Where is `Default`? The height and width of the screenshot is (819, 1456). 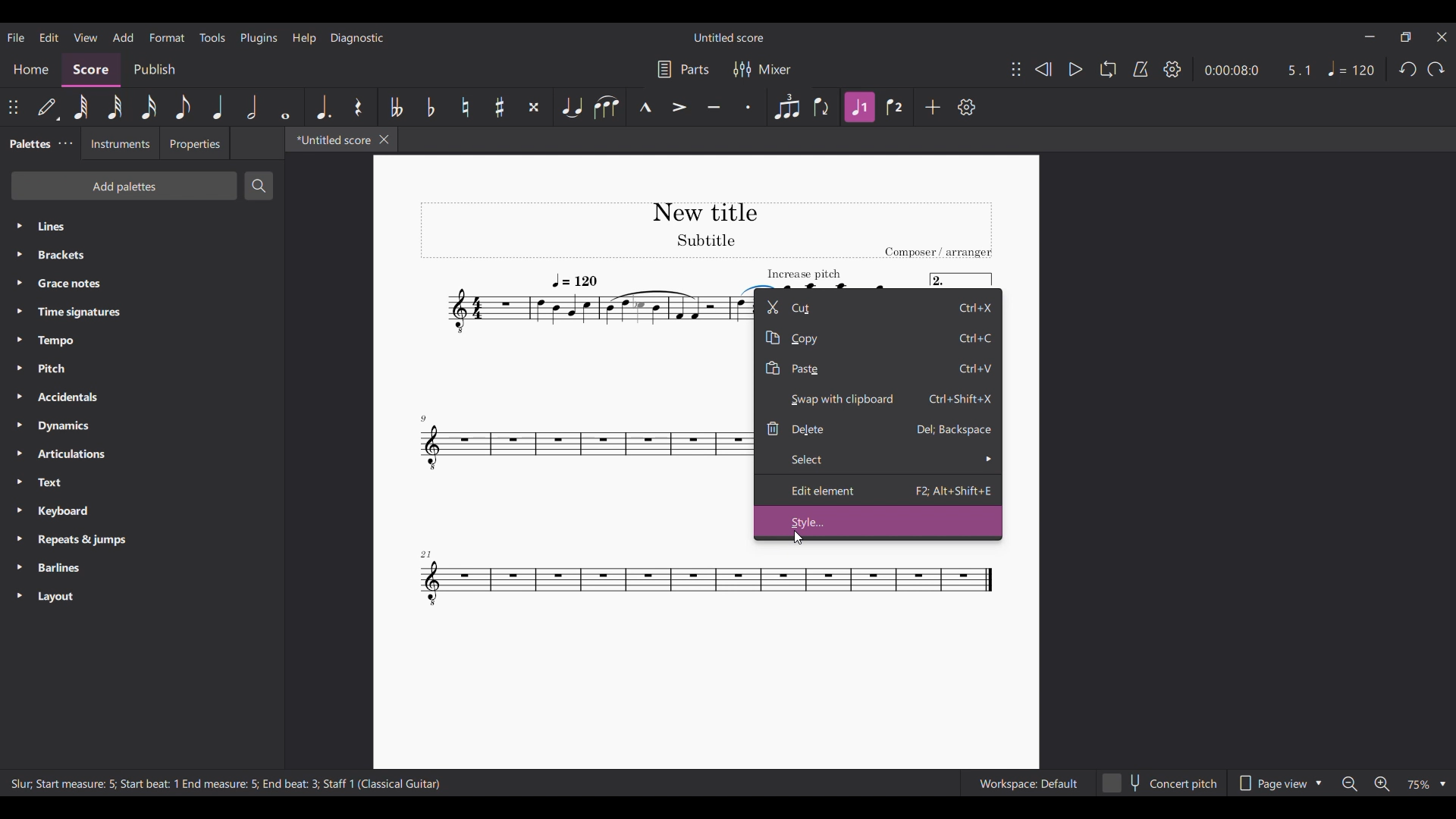
Default is located at coordinates (49, 108).